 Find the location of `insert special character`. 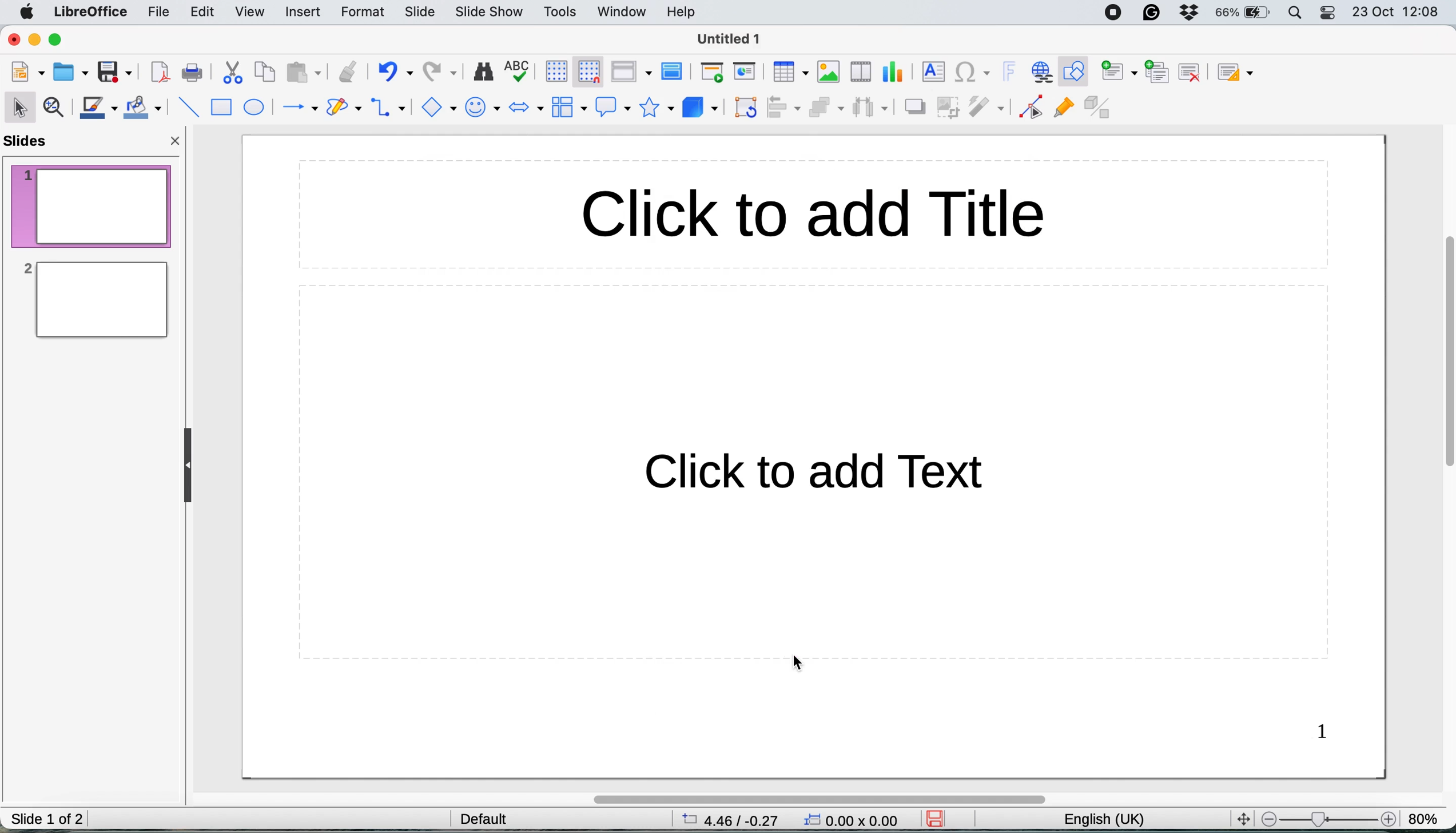

insert special character is located at coordinates (973, 73).